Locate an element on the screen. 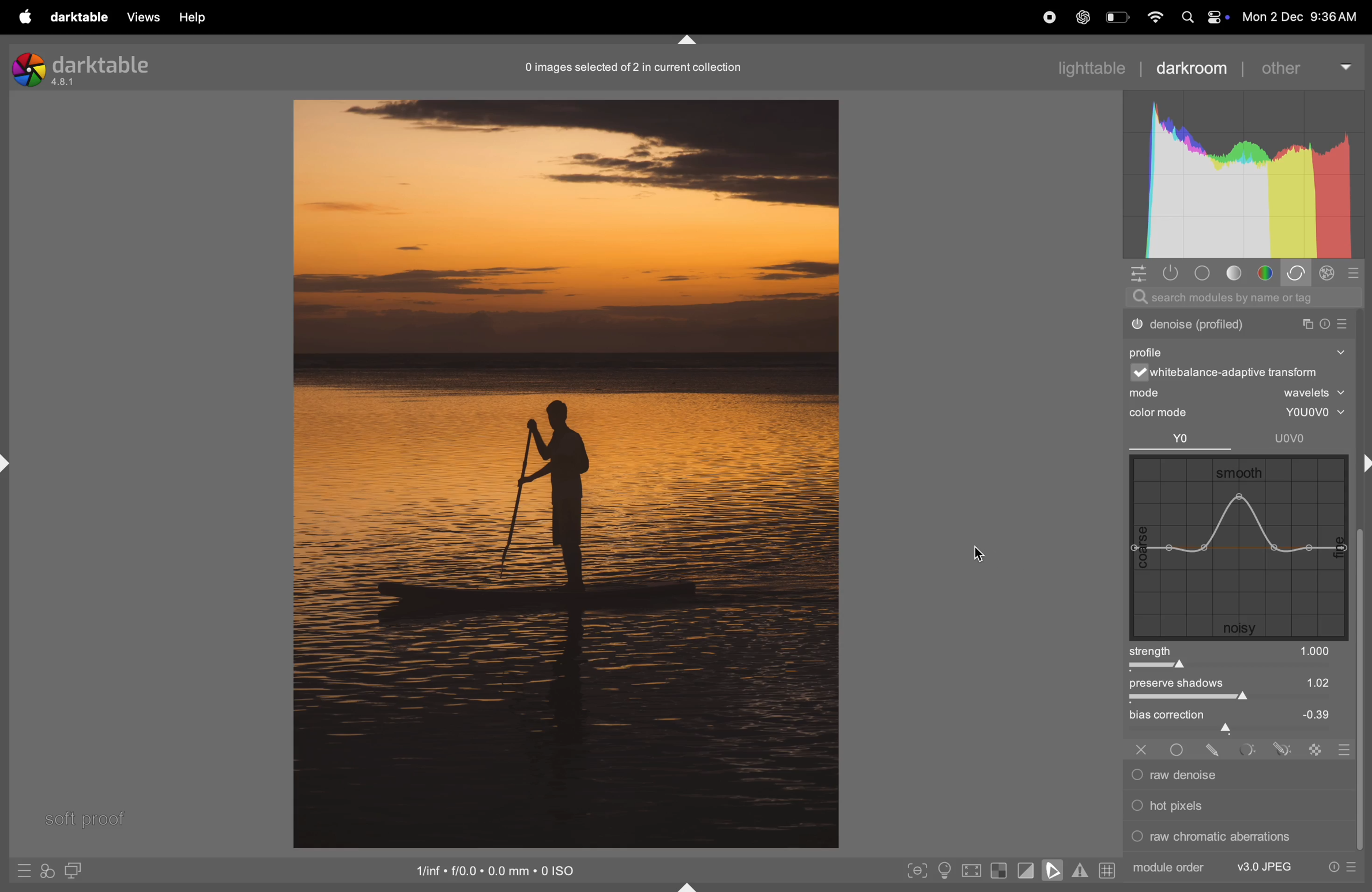 This screenshot has height=892, width=1372. toggle bars is located at coordinates (1239, 700).